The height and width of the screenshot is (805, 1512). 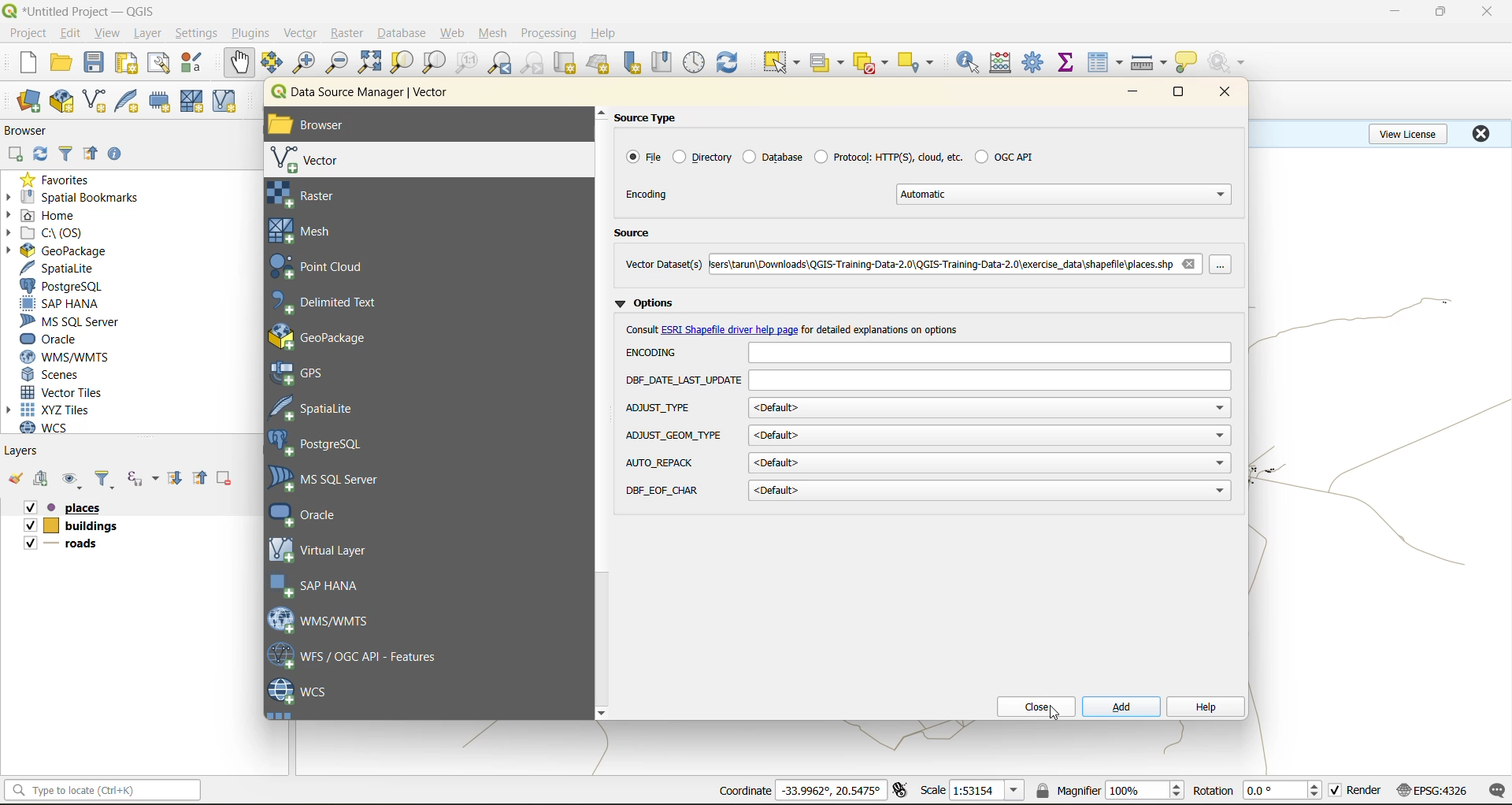 I want to click on link, so click(x=731, y=331).